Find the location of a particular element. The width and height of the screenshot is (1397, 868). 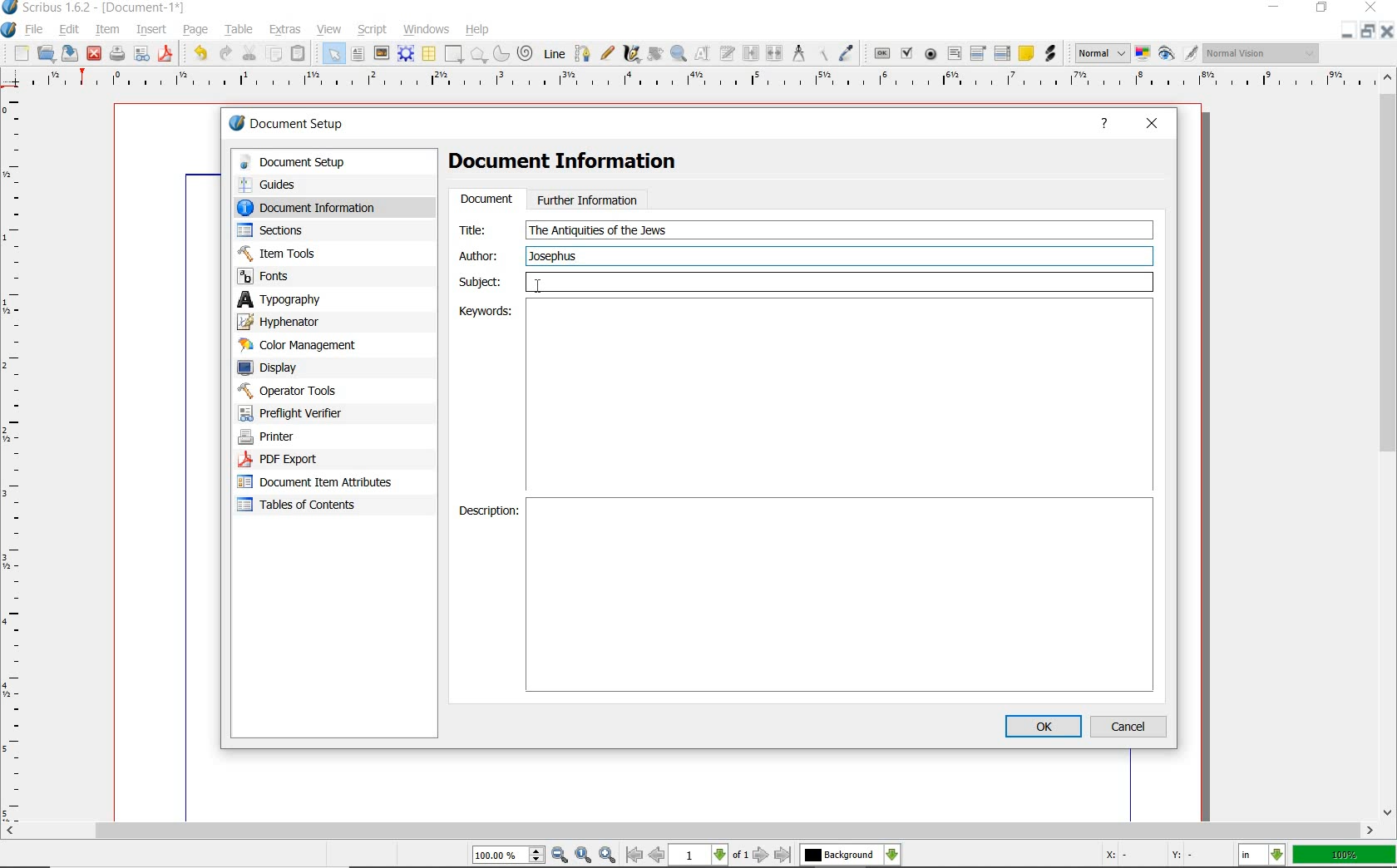

cut is located at coordinates (250, 53).